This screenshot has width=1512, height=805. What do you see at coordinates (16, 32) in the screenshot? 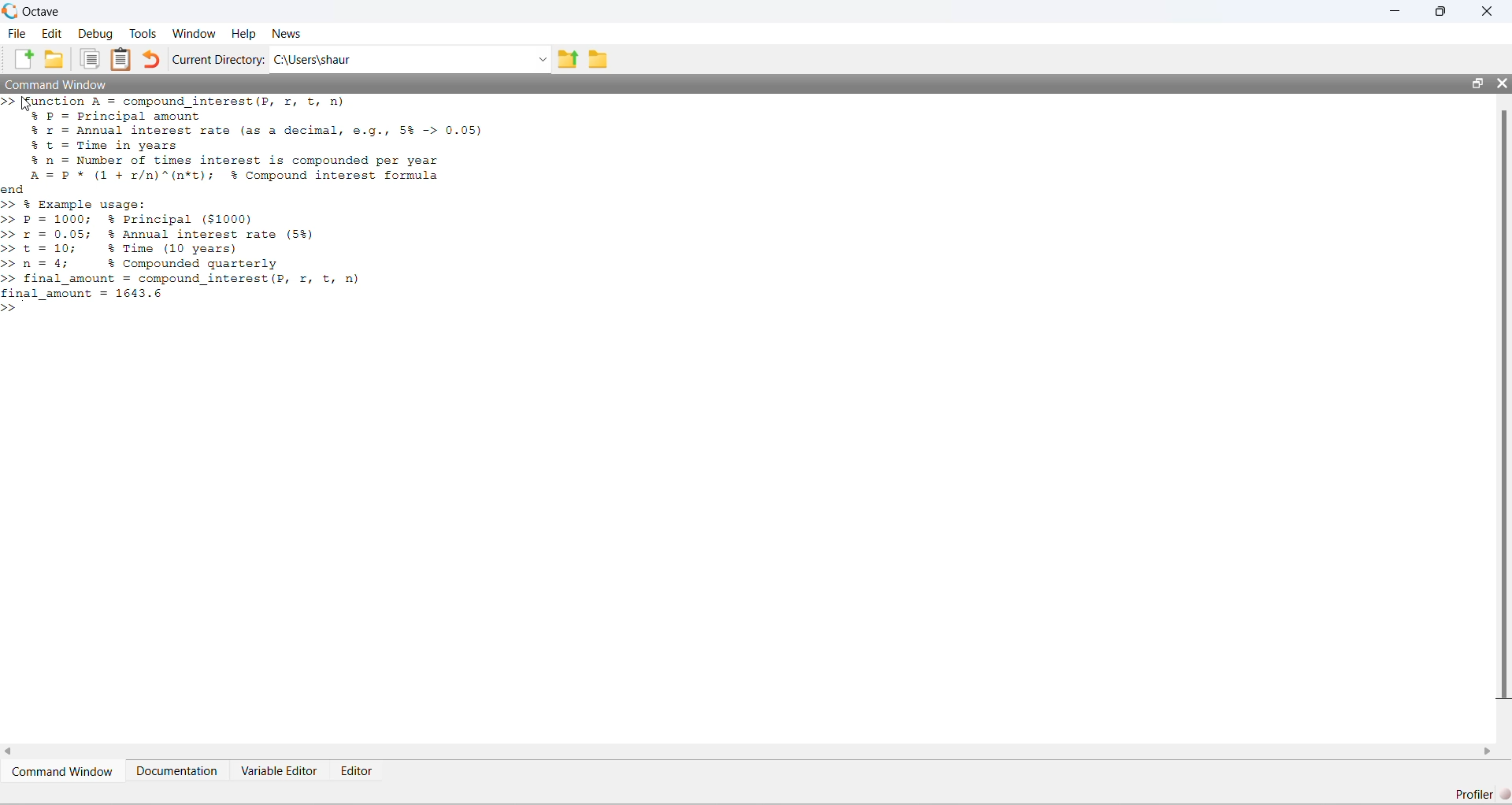
I see `File` at bounding box center [16, 32].